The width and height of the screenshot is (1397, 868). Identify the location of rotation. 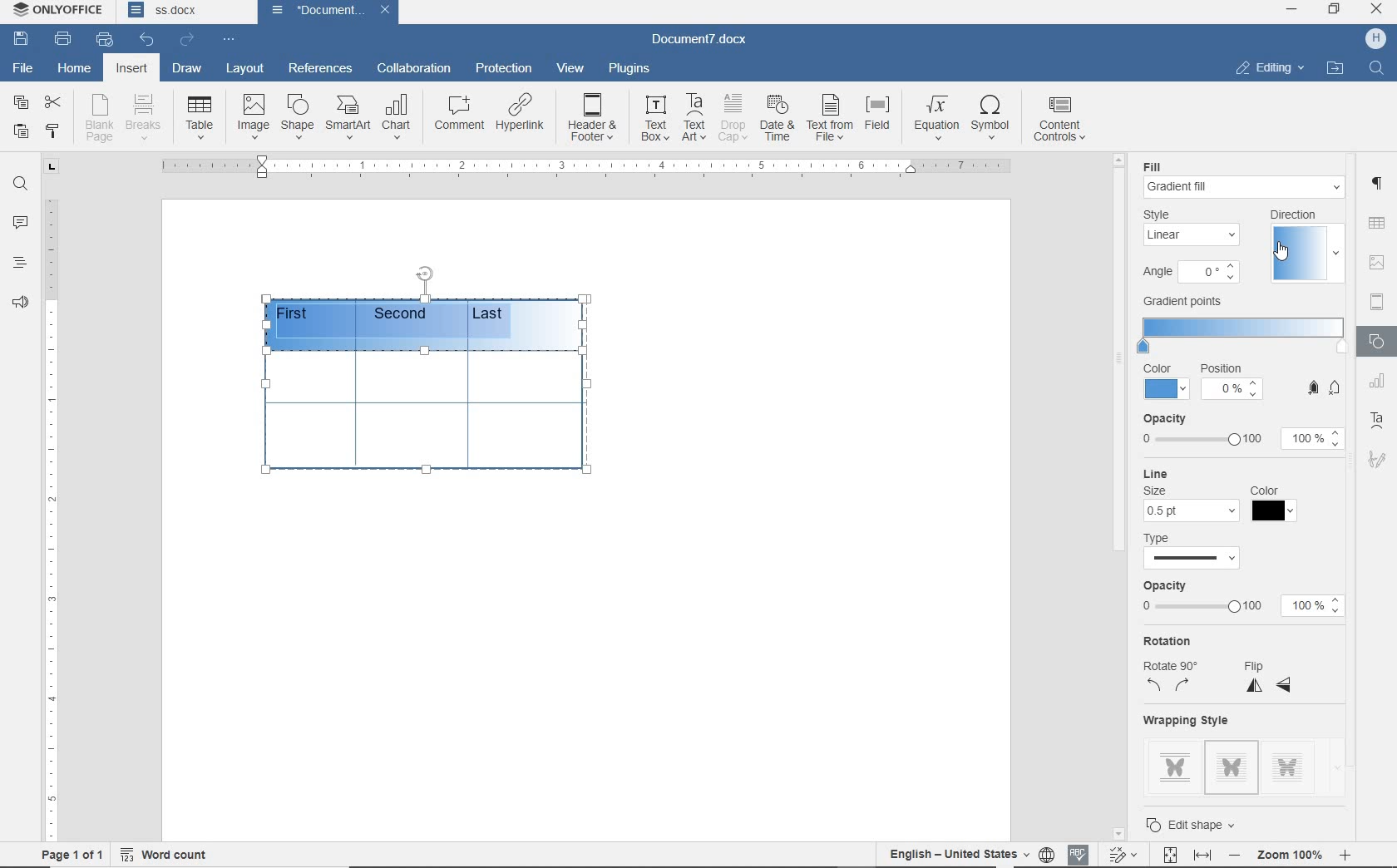
(1173, 638).